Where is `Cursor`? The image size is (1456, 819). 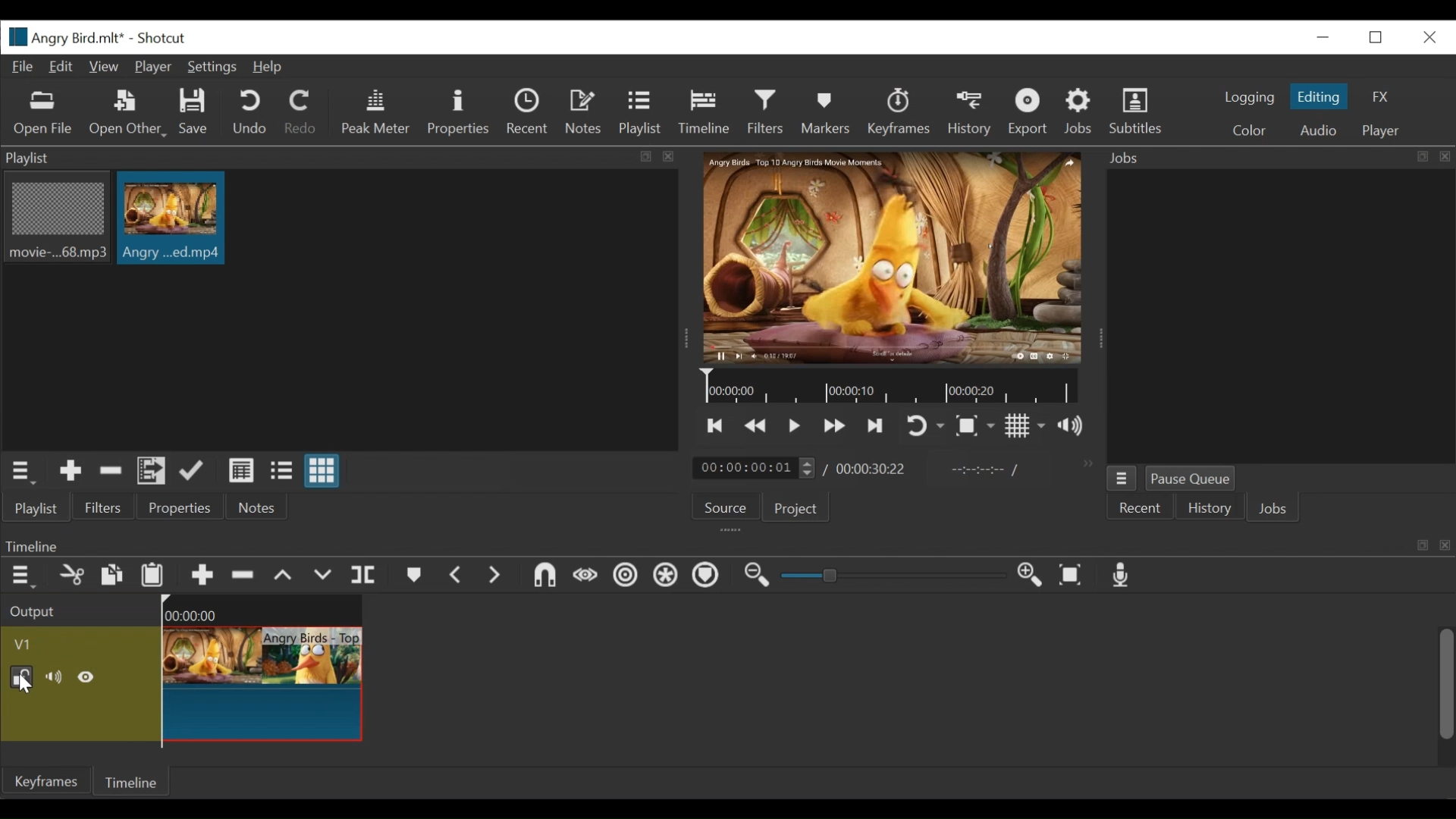 Cursor is located at coordinates (29, 686).